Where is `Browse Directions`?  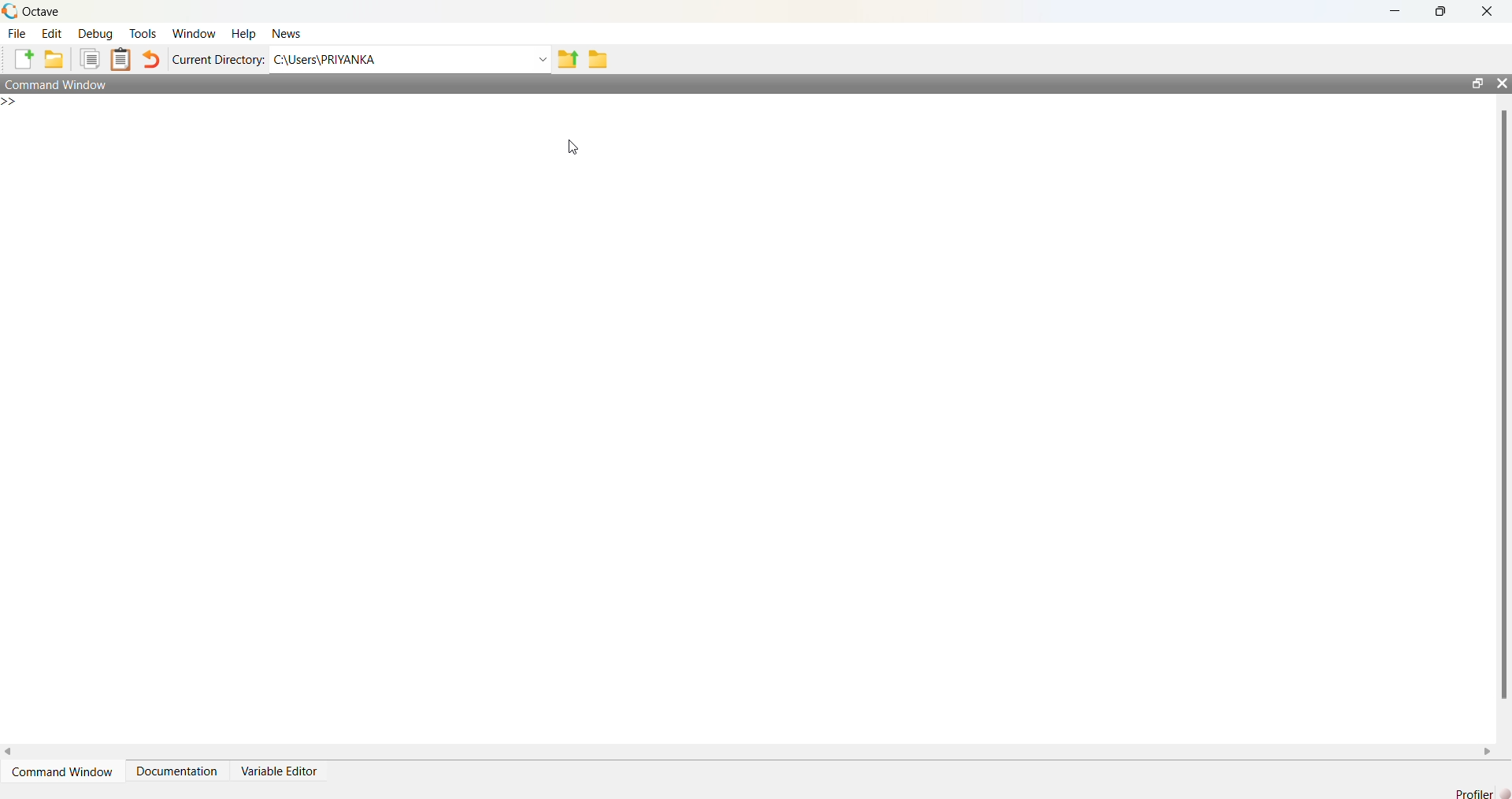 Browse Directions is located at coordinates (599, 59).